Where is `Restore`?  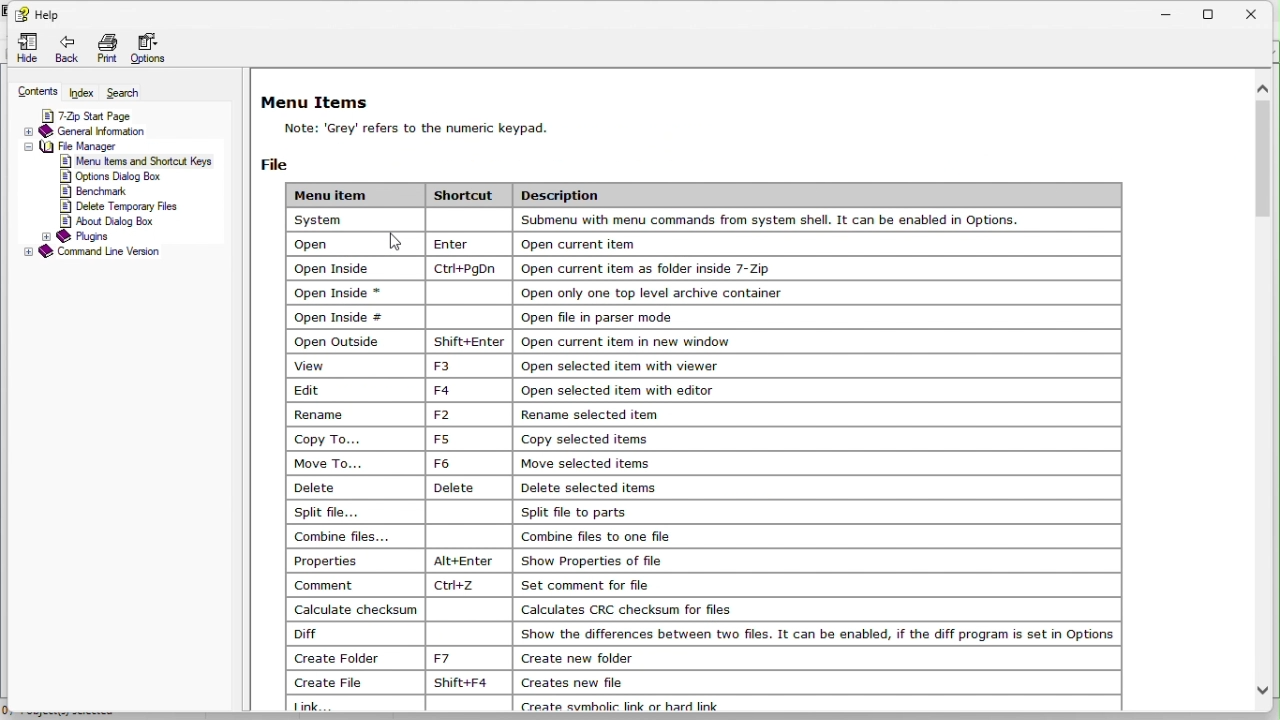
Restore is located at coordinates (1215, 12).